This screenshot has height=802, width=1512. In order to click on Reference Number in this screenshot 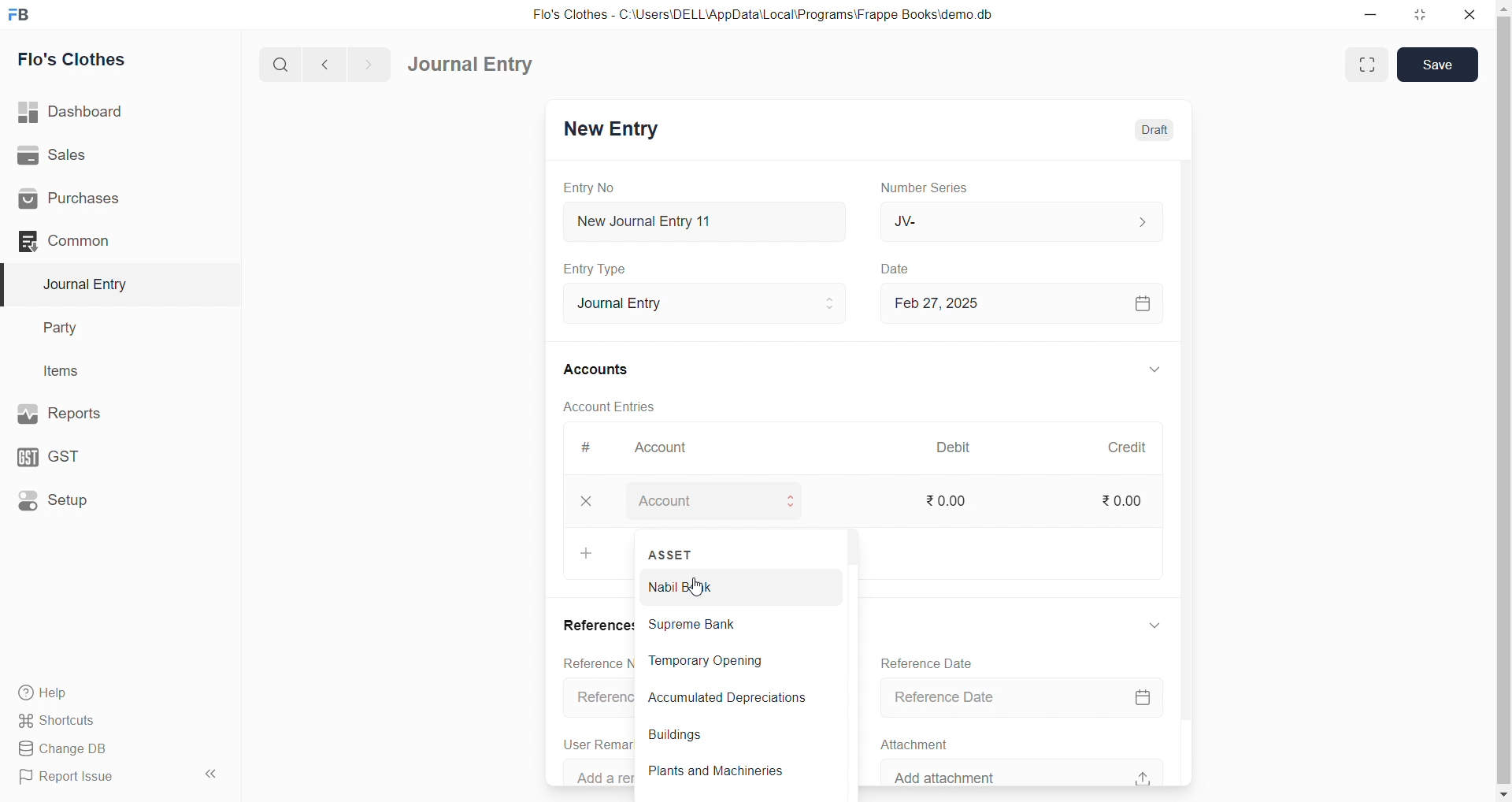, I will do `click(595, 664)`.